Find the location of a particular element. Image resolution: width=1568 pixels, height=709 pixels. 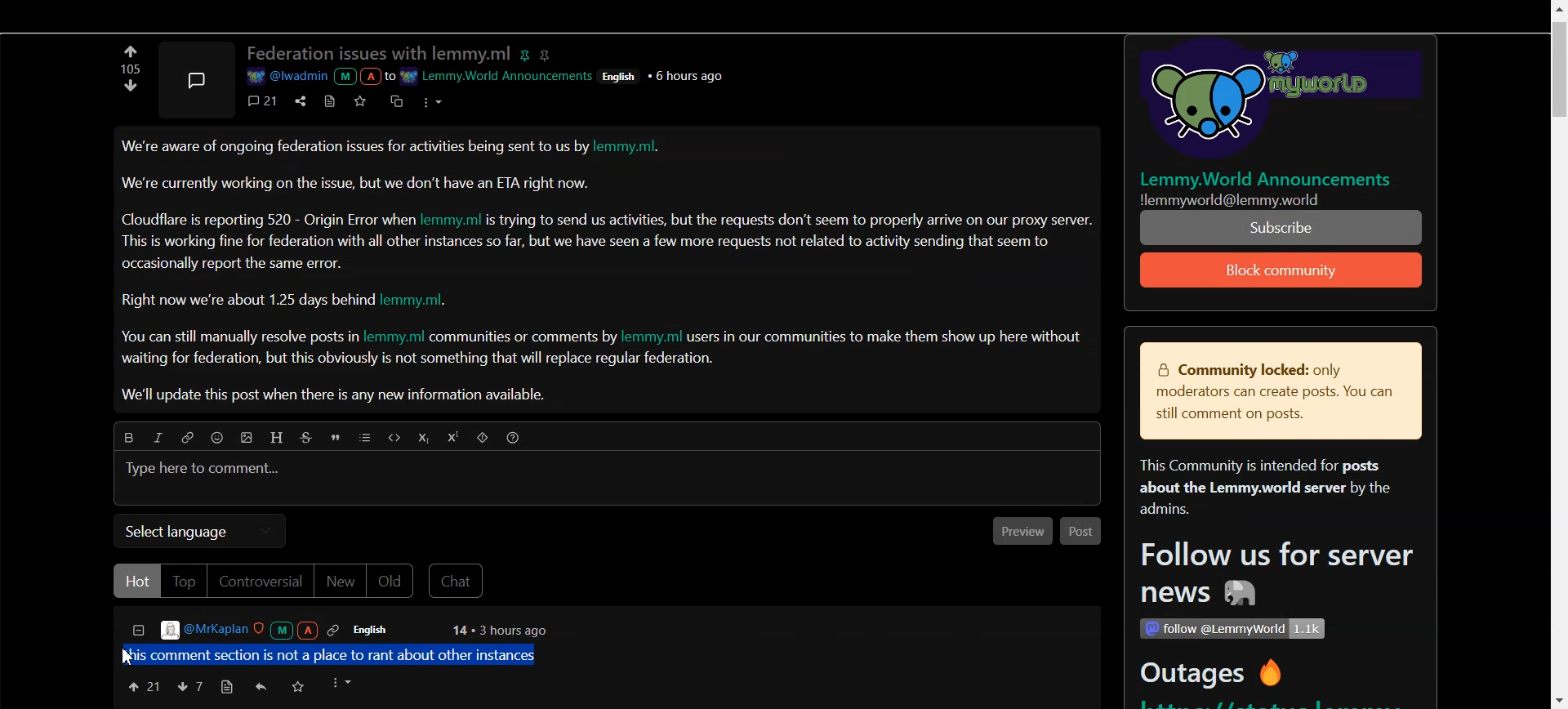

Superscript is located at coordinates (456, 438).